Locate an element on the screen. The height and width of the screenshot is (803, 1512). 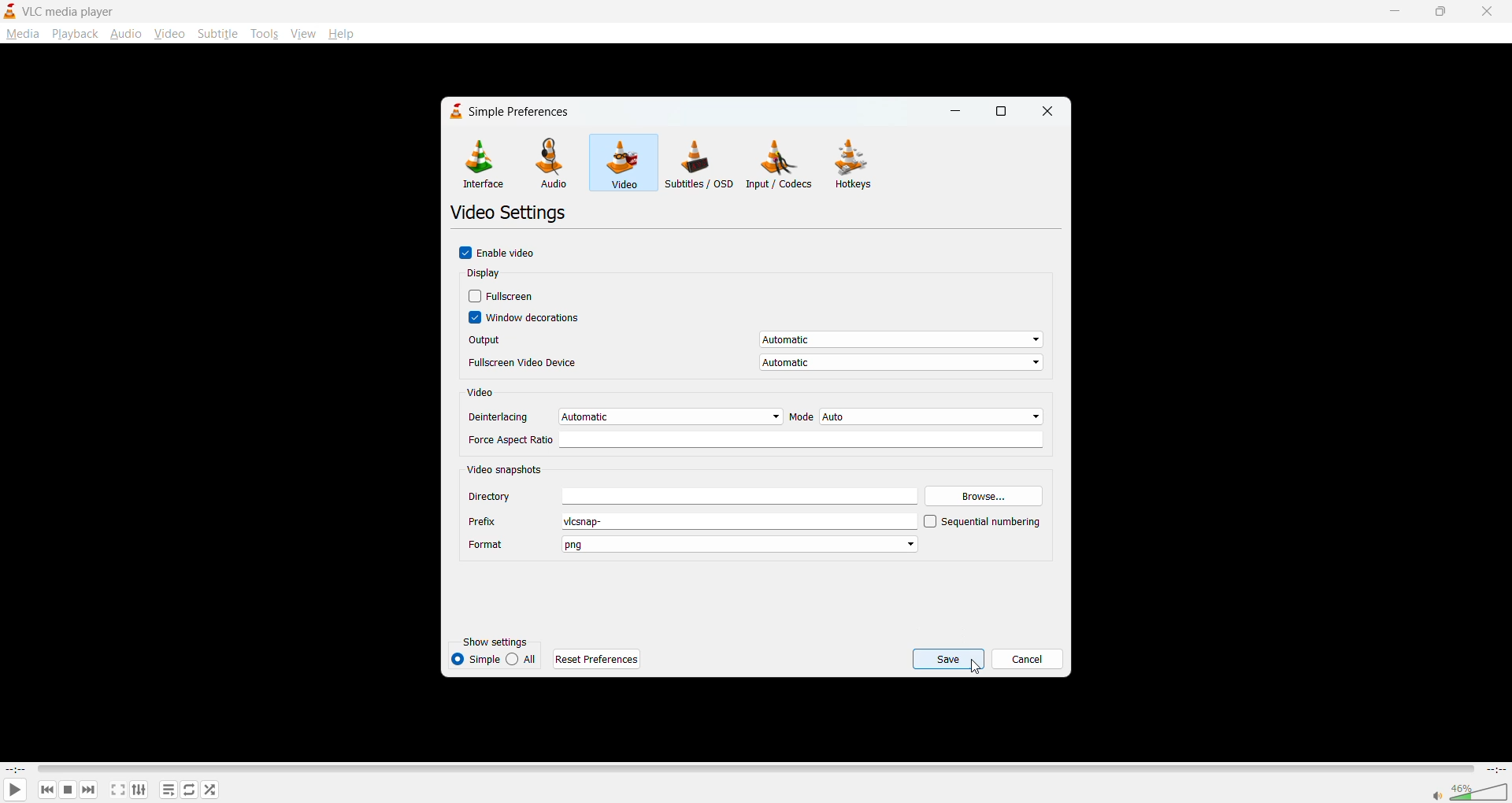
hotkeys is located at coordinates (858, 166).